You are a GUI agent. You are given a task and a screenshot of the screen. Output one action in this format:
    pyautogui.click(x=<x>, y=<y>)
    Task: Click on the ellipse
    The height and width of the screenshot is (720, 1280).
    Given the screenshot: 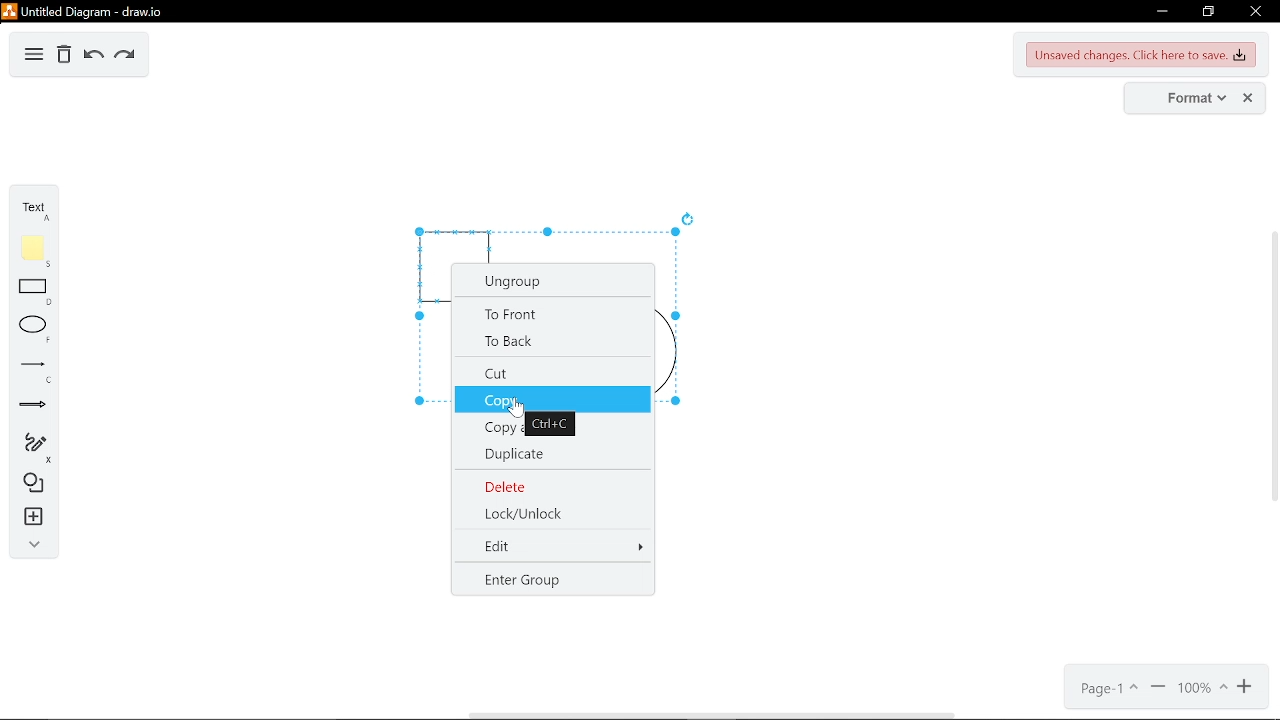 What is the action you would take?
    pyautogui.click(x=31, y=330)
    